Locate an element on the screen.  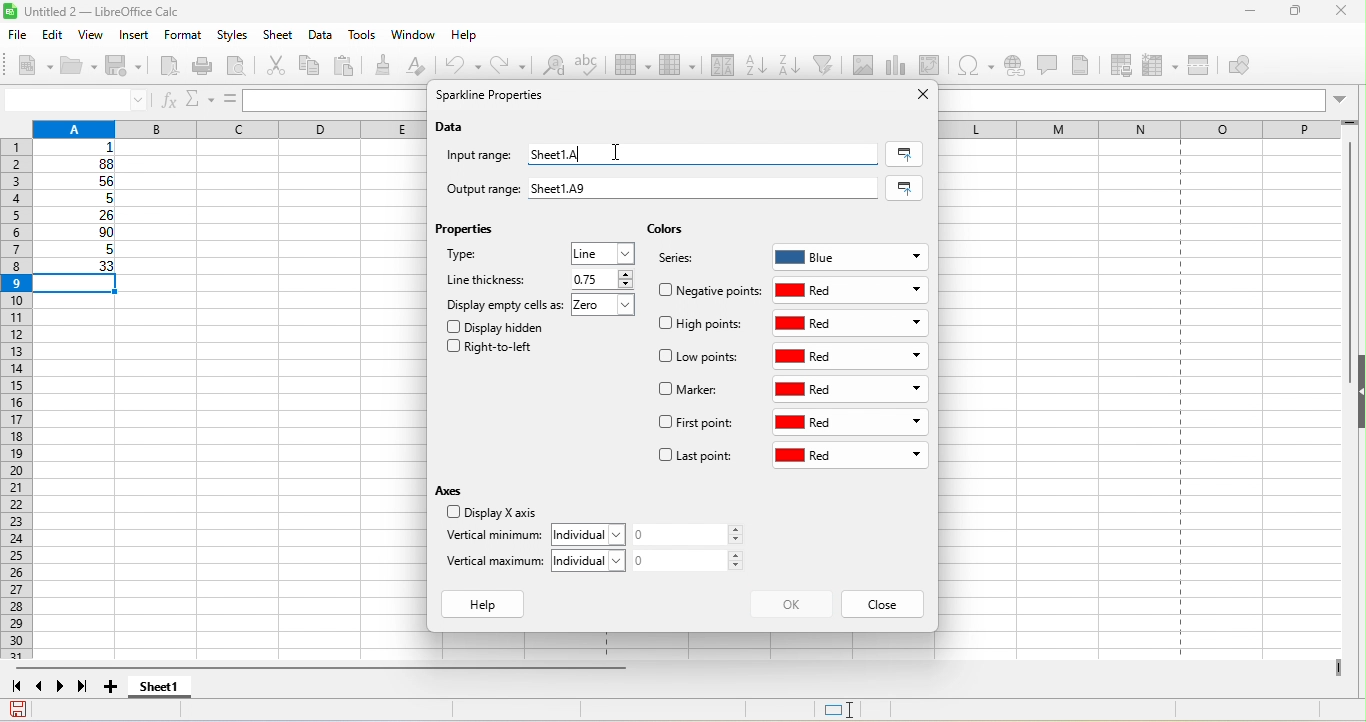
selected range is located at coordinates (908, 188).